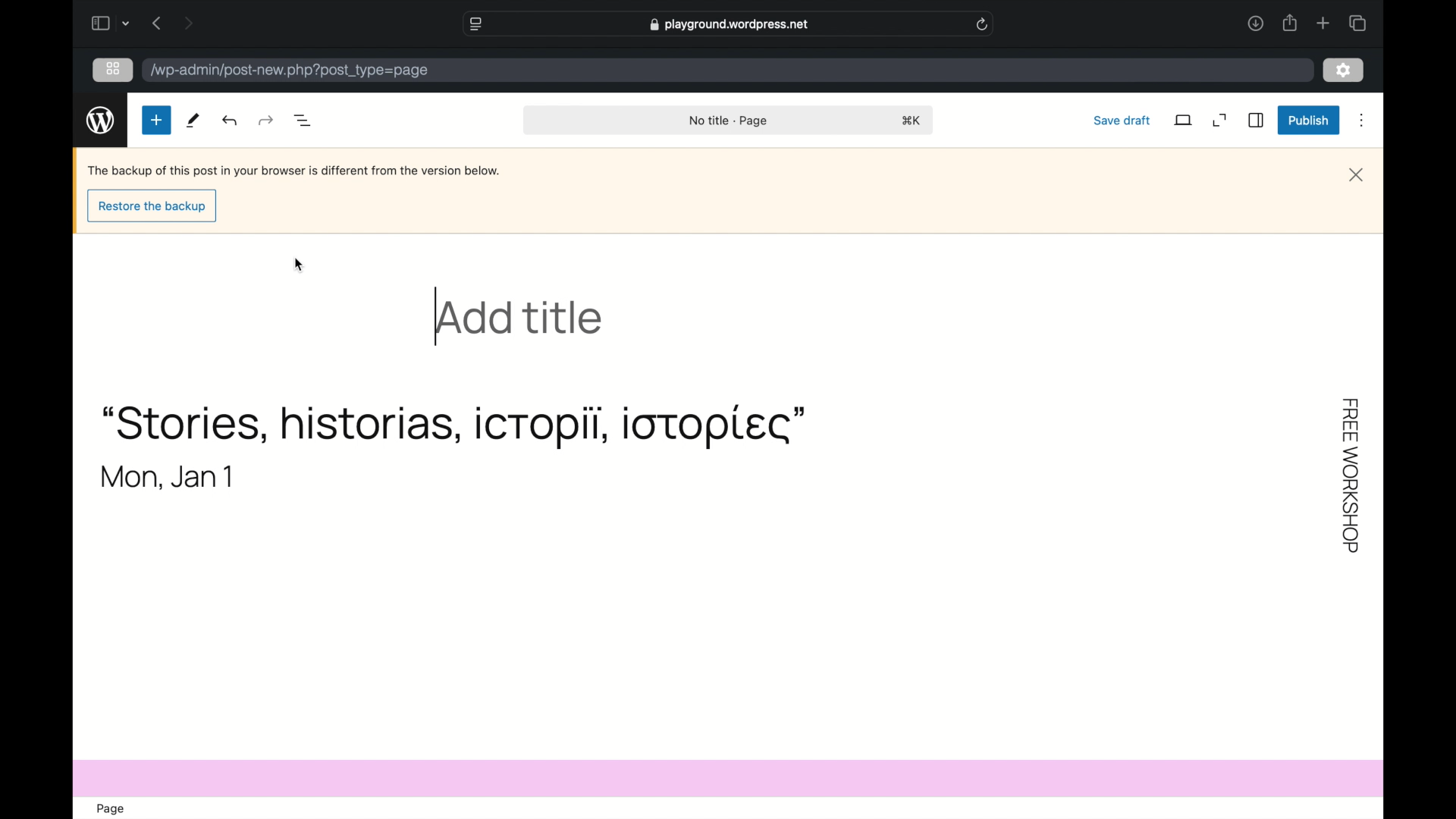 Image resolution: width=1456 pixels, height=819 pixels. Describe the element at coordinates (1288, 23) in the screenshot. I see `share` at that location.